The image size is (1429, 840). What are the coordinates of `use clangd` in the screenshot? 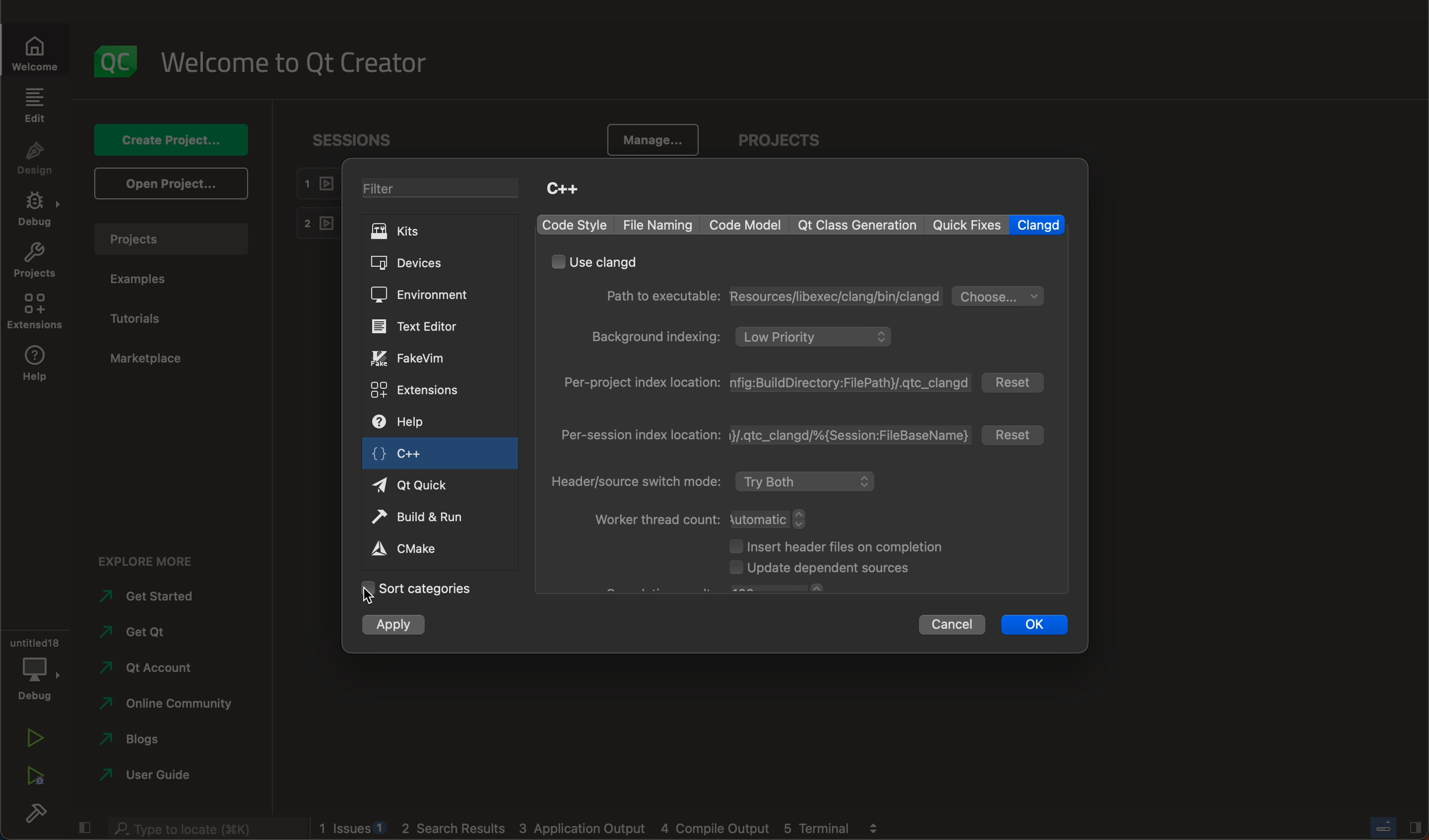 It's located at (598, 261).